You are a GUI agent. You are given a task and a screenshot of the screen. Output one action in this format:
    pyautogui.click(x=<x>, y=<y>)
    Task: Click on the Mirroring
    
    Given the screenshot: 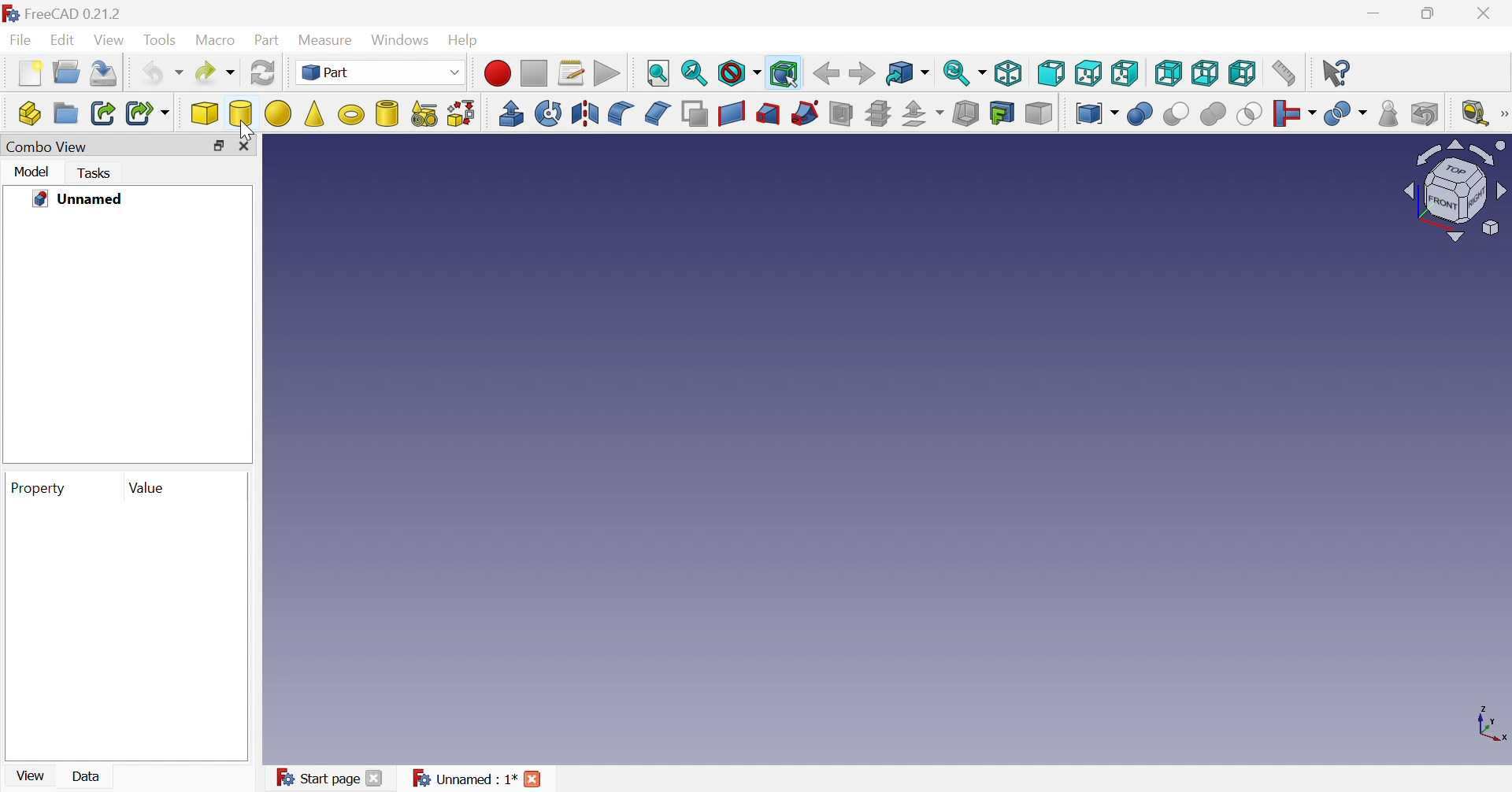 What is the action you would take?
    pyautogui.click(x=585, y=115)
    